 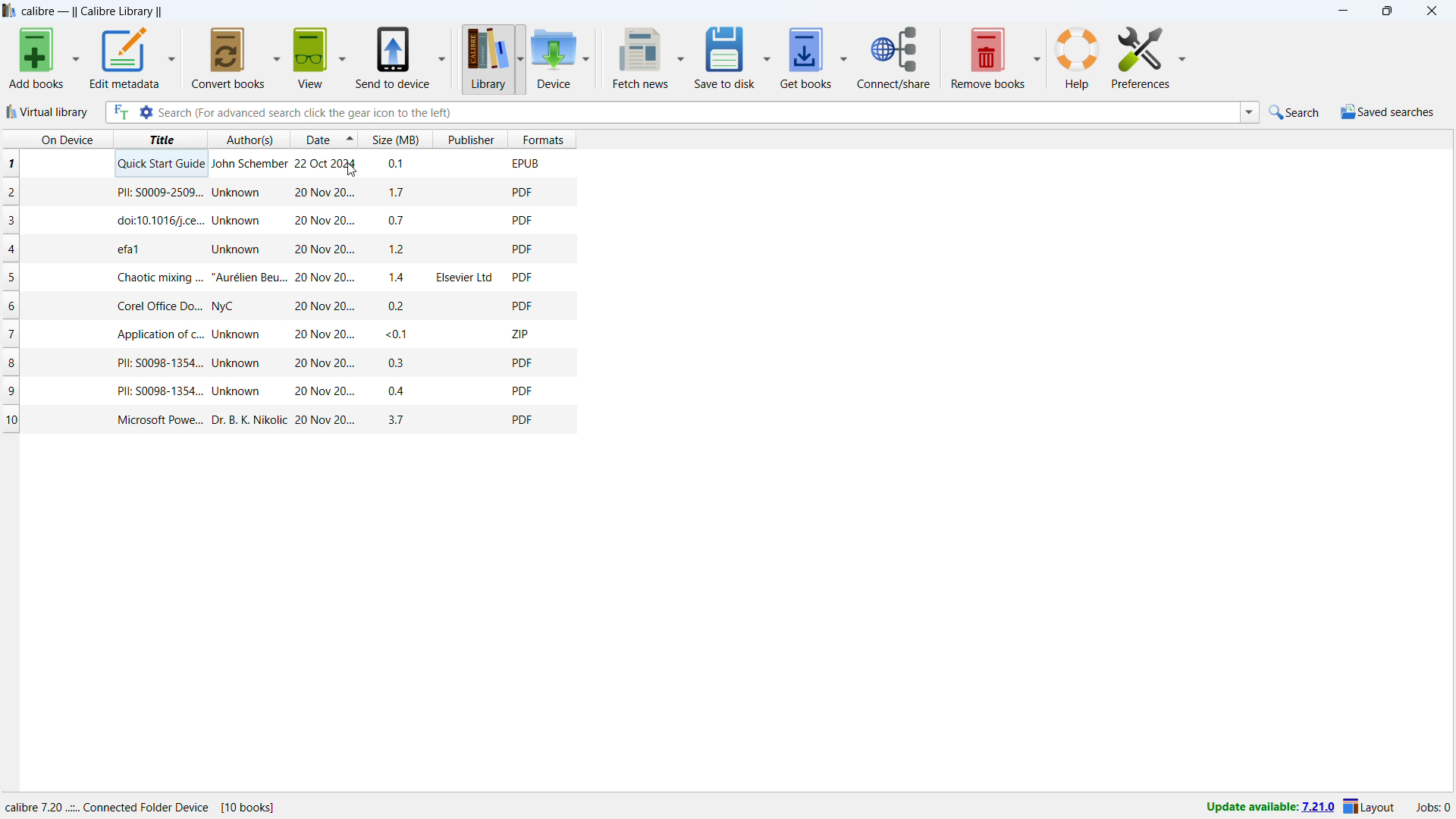 I want to click on details of software, so click(x=140, y=807).